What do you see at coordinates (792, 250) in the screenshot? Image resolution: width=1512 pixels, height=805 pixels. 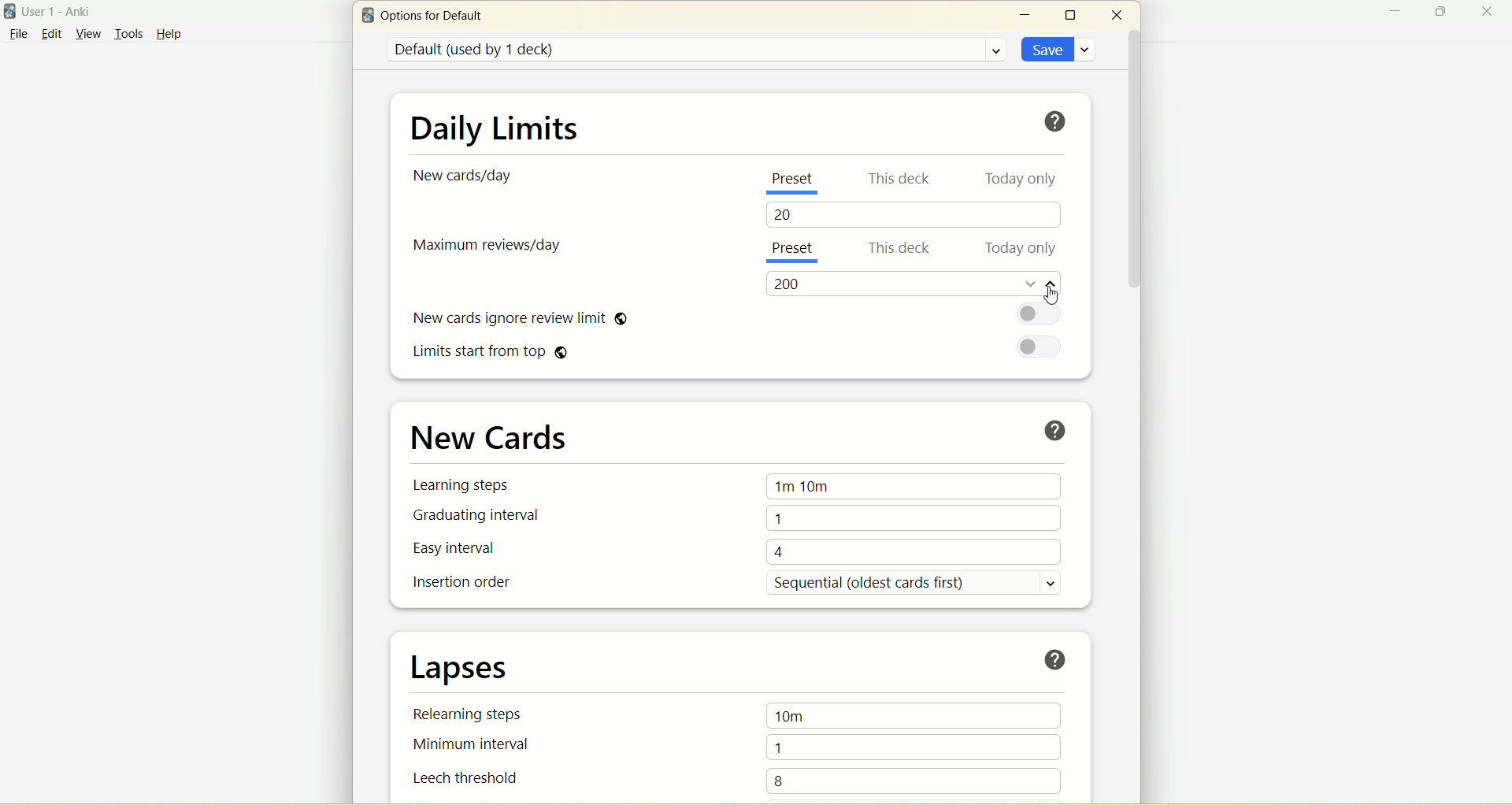 I see `present` at bounding box center [792, 250].